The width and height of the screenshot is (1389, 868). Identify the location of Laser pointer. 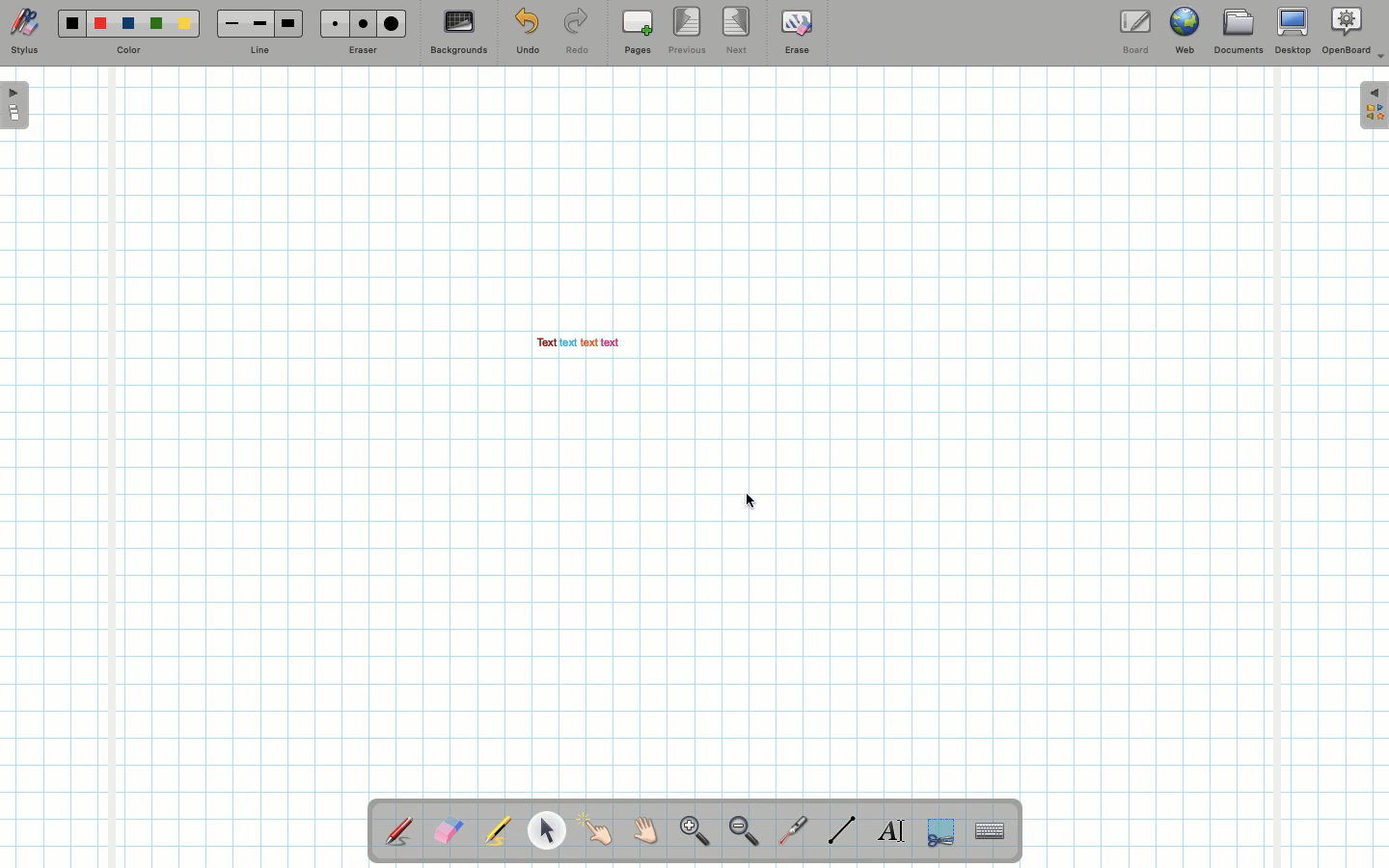
(789, 831).